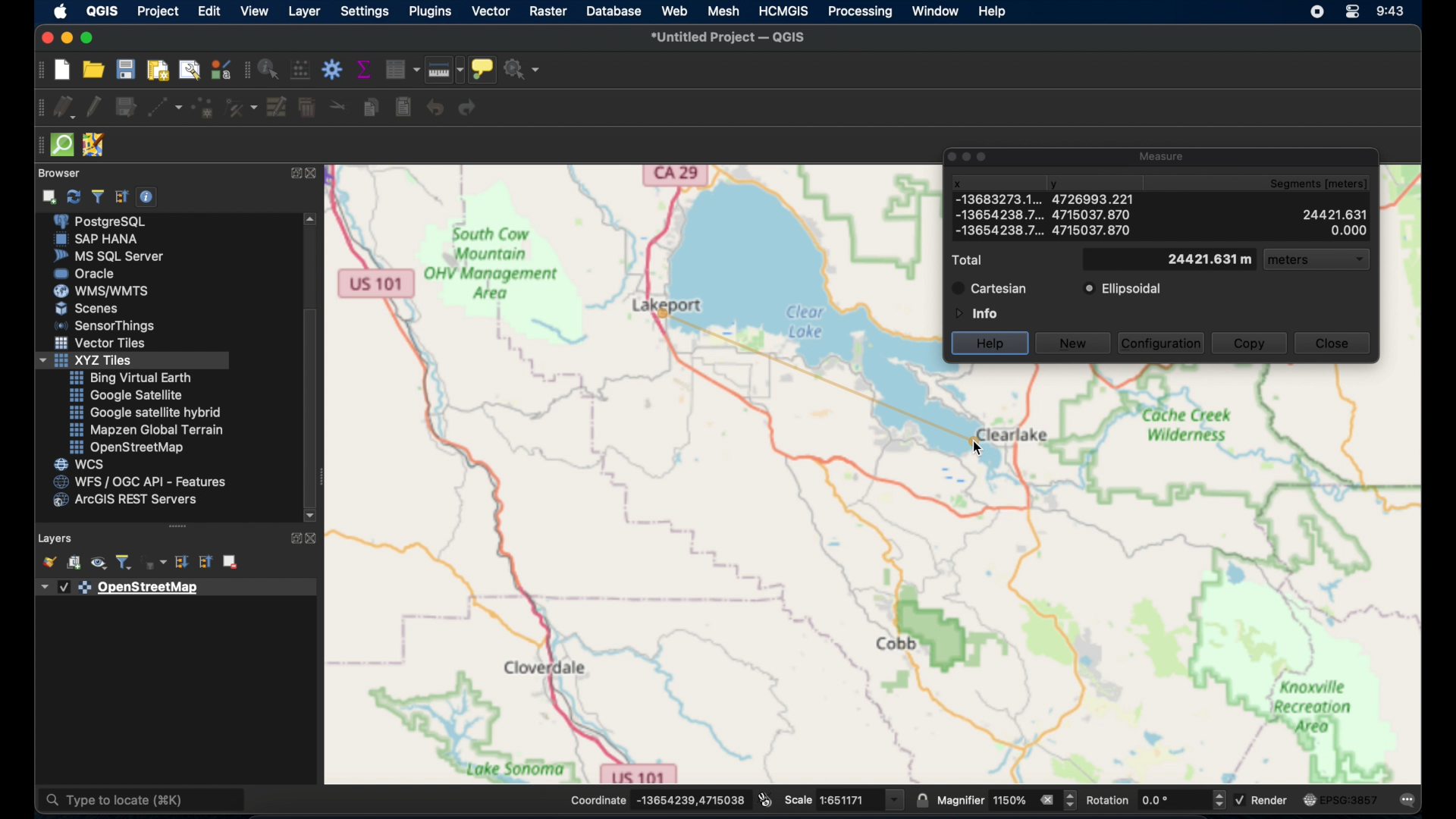 The height and width of the screenshot is (819, 1456). What do you see at coordinates (1341, 799) in the screenshot?
I see `EPSG:3857` at bounding box center [1341, 799].